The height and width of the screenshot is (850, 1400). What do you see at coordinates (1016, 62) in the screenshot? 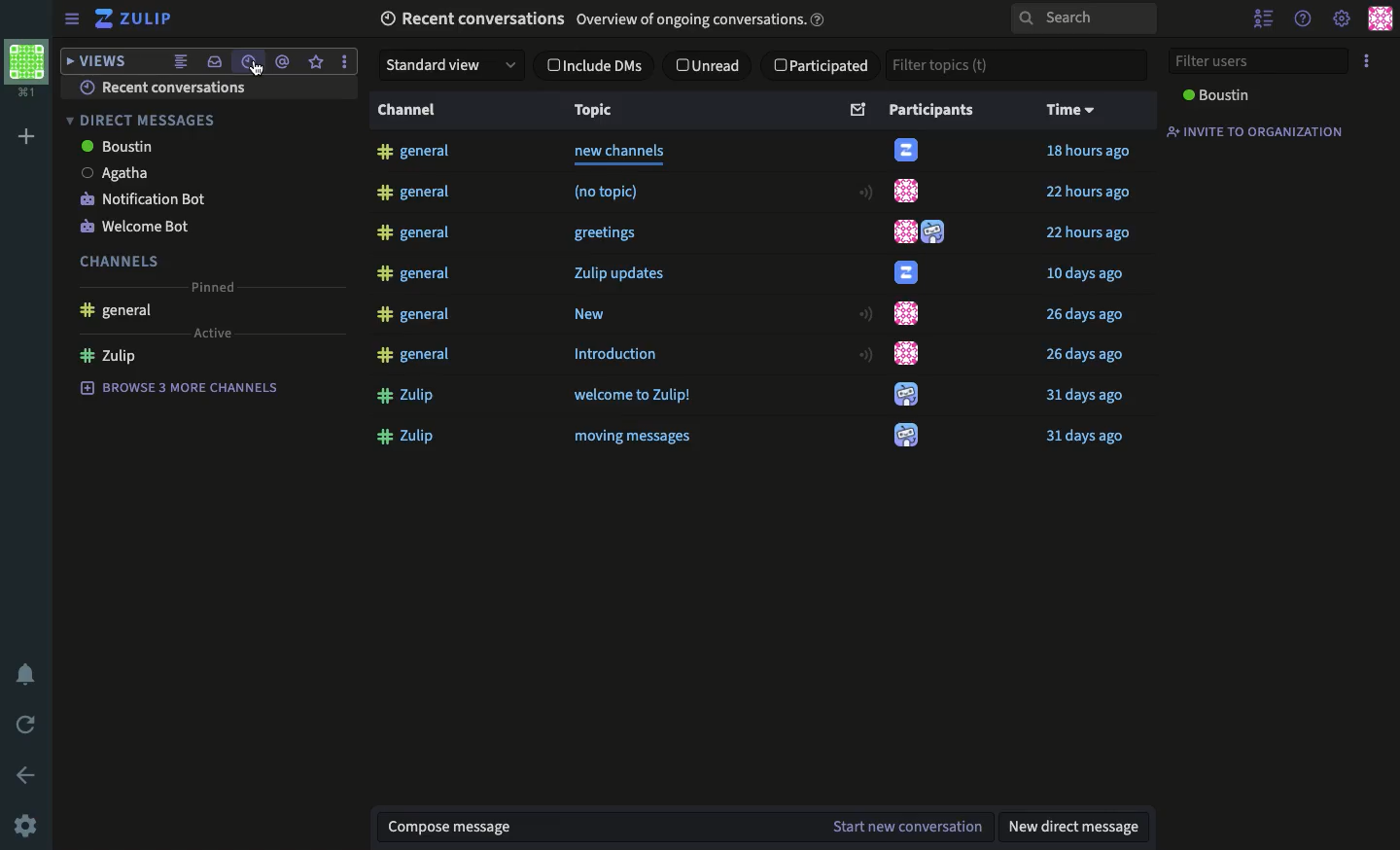
I see `filter topics` at bounding box center [1016, 62].